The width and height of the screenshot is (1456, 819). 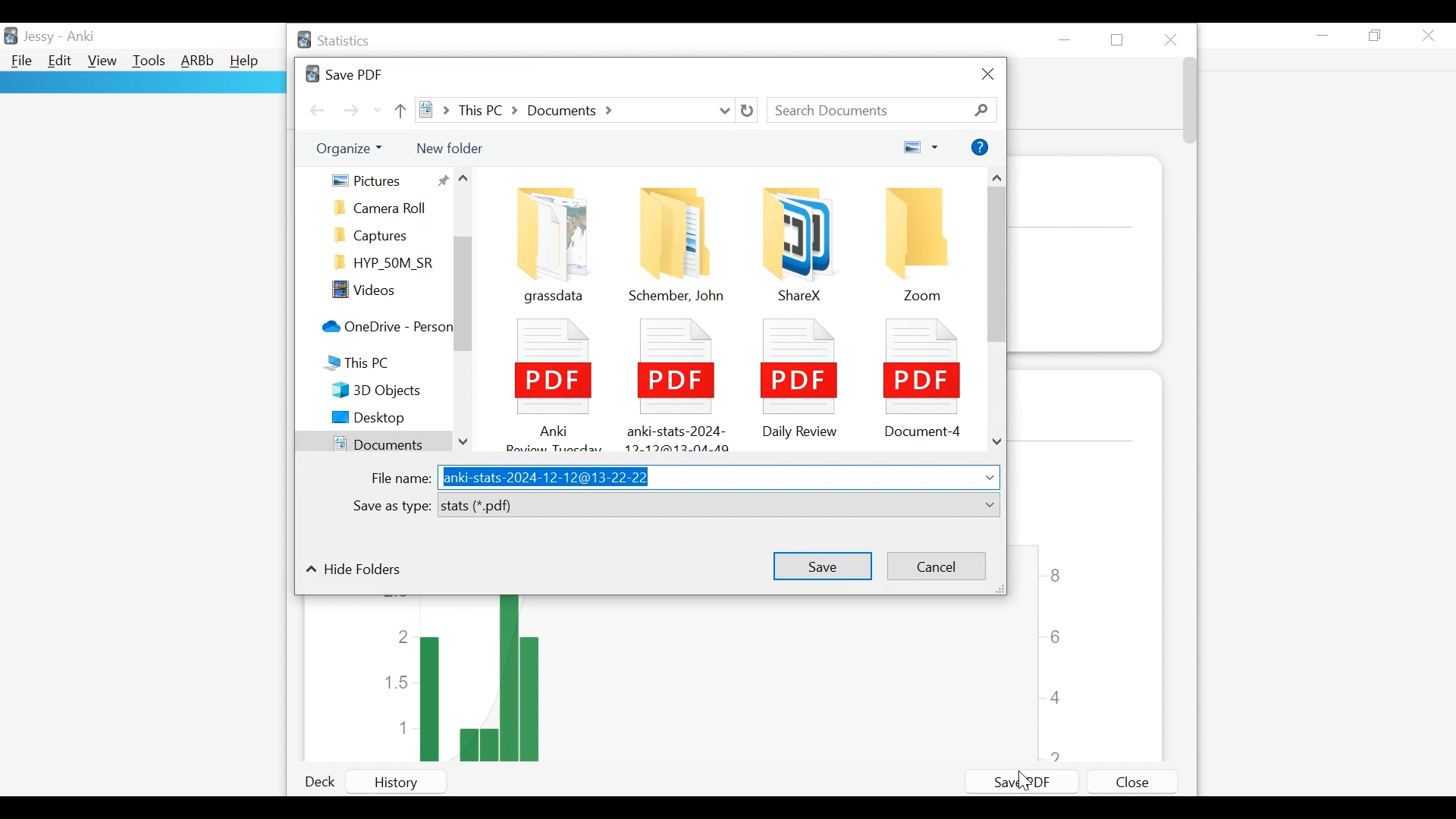 What do you see at coordinates (795, 376) in the screenshot?
I see `PDF` at bounding box center [795, 376].